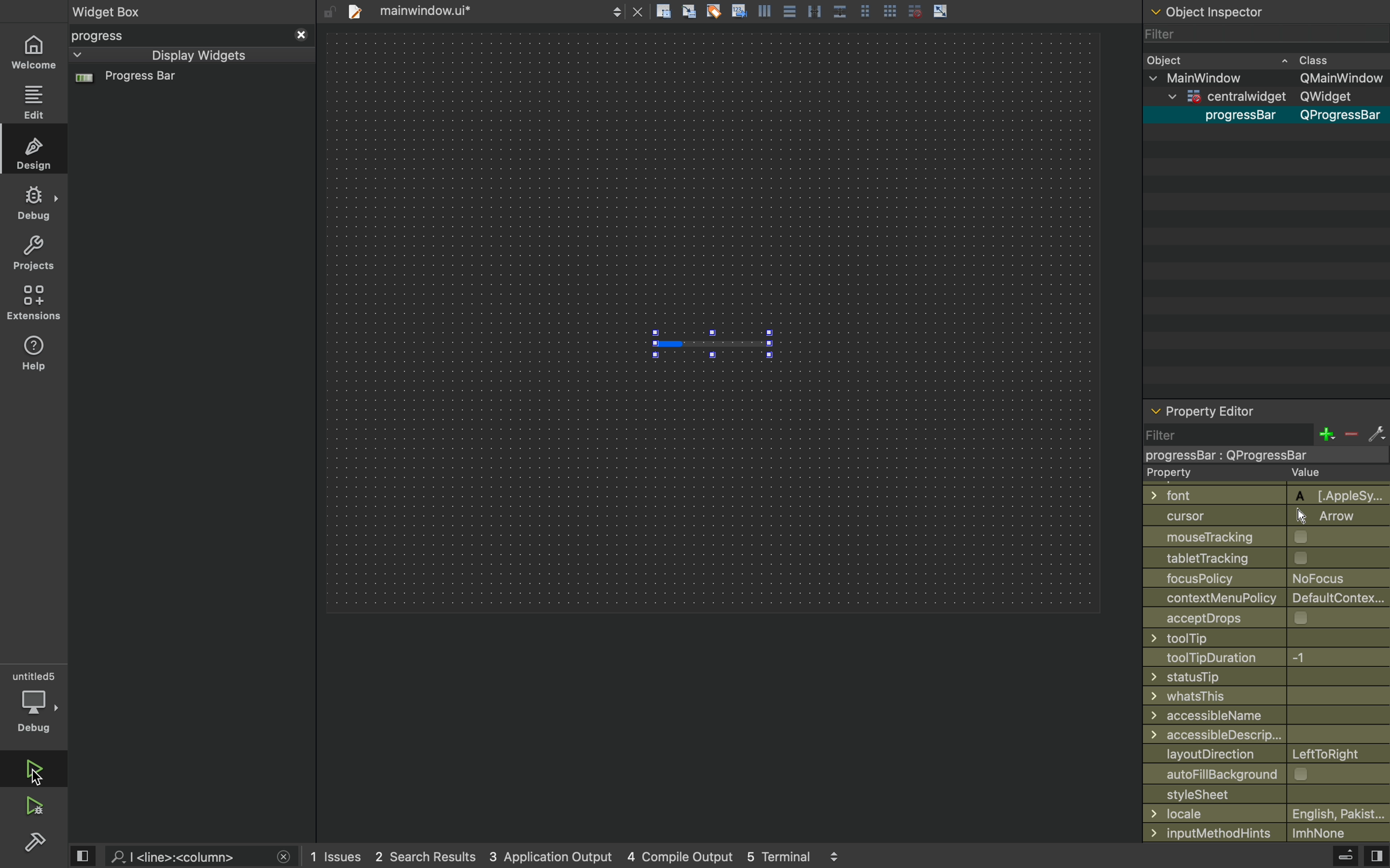 The width and height of the screenshot is (1390, 868). Describe the element at coordinates (582, 857) in the screenshot. I see `logs` at that location.